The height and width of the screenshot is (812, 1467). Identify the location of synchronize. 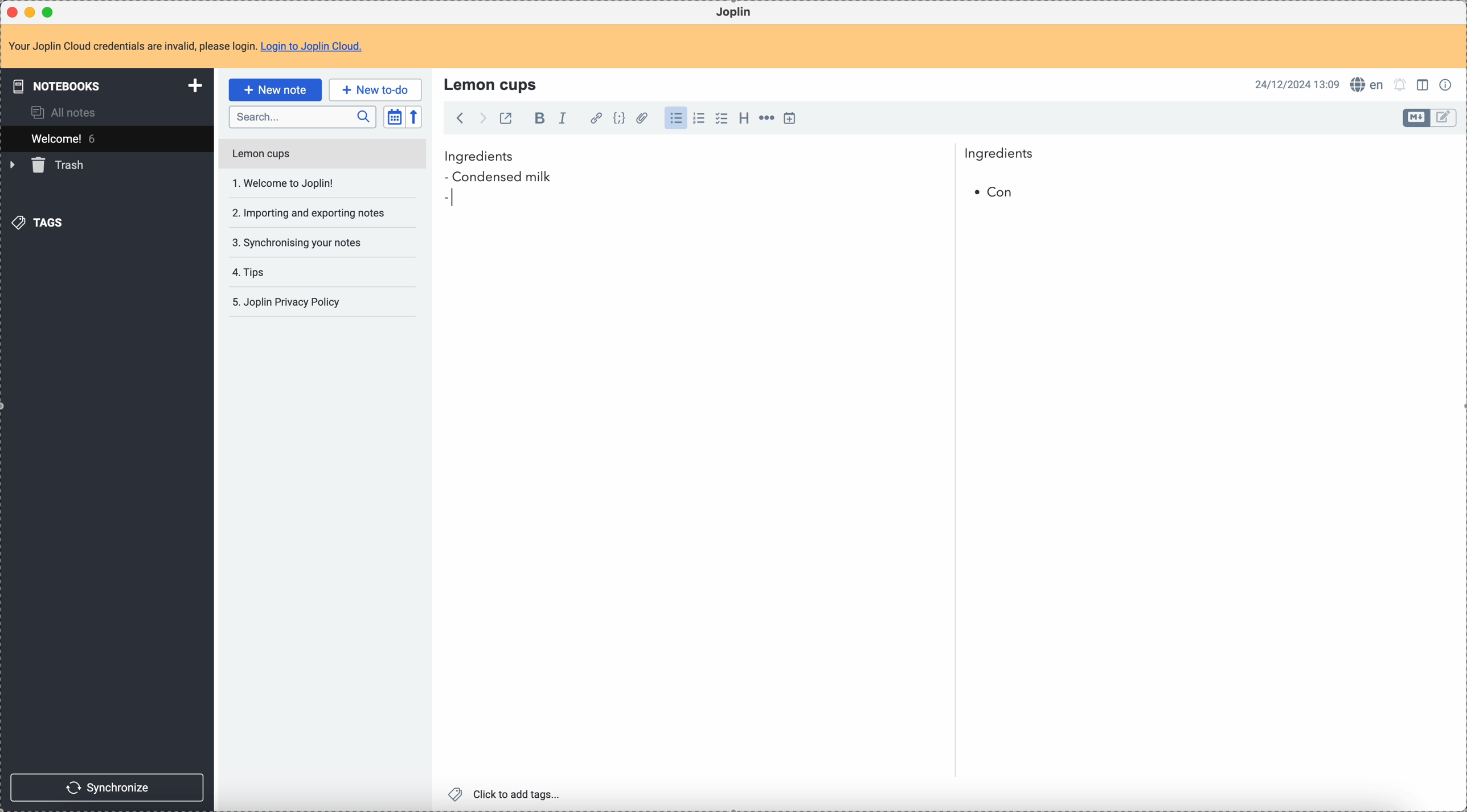
(108, 788).